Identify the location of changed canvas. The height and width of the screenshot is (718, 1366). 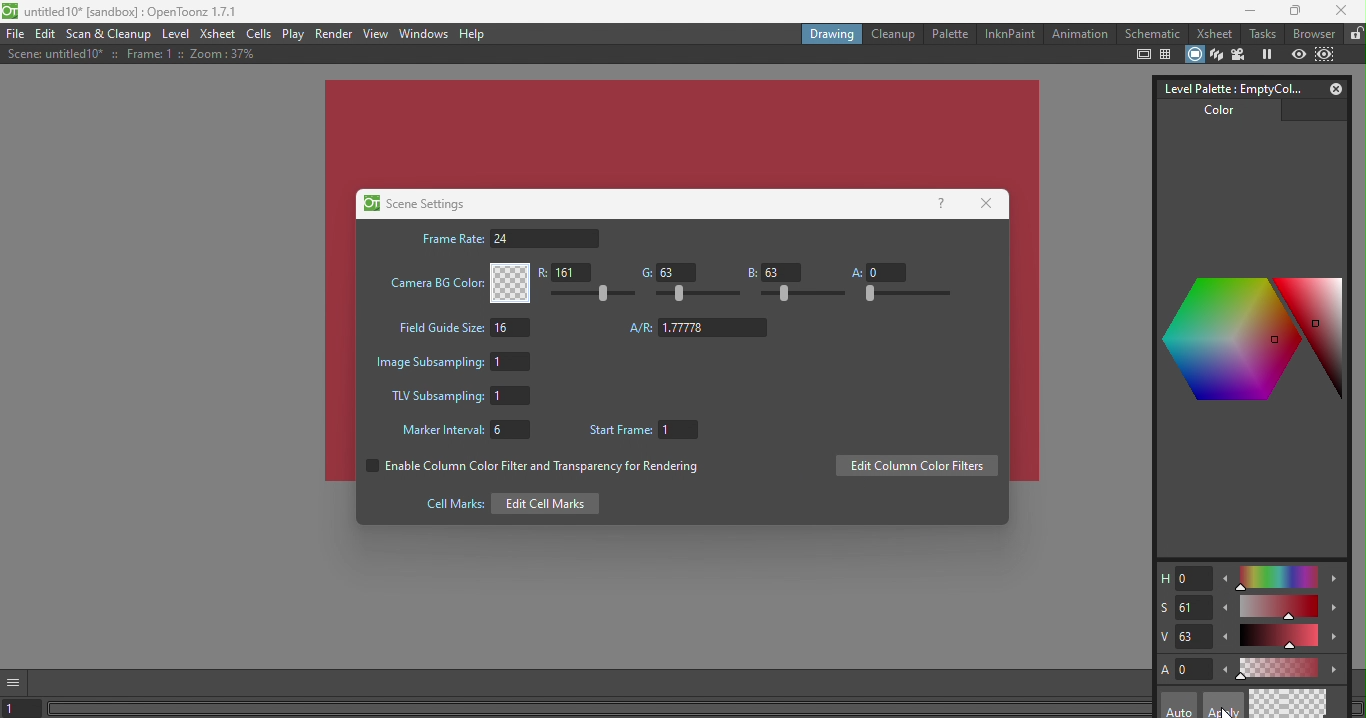
(682, 134).